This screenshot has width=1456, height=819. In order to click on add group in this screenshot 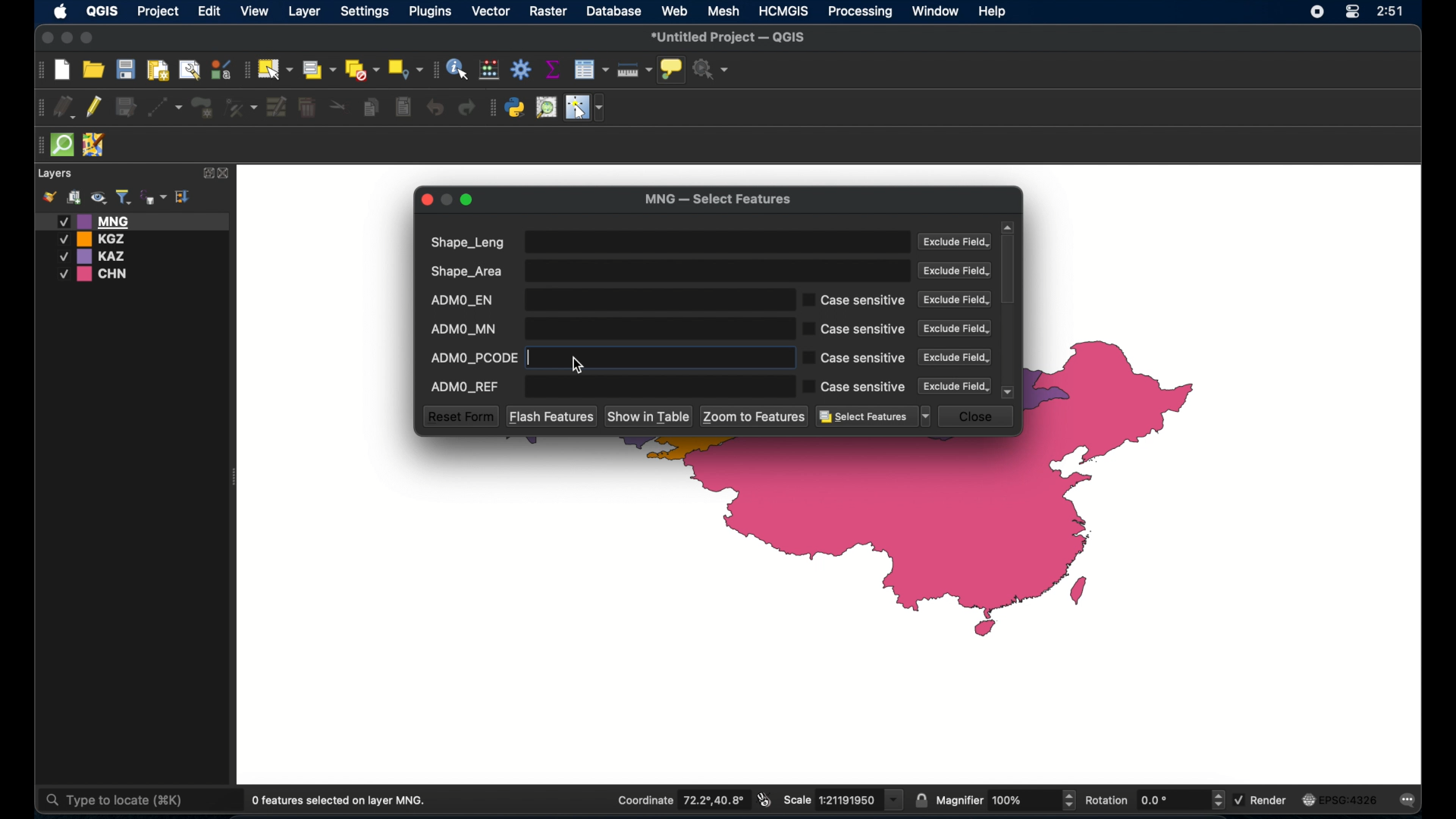, I will do `click(74, 198)`.